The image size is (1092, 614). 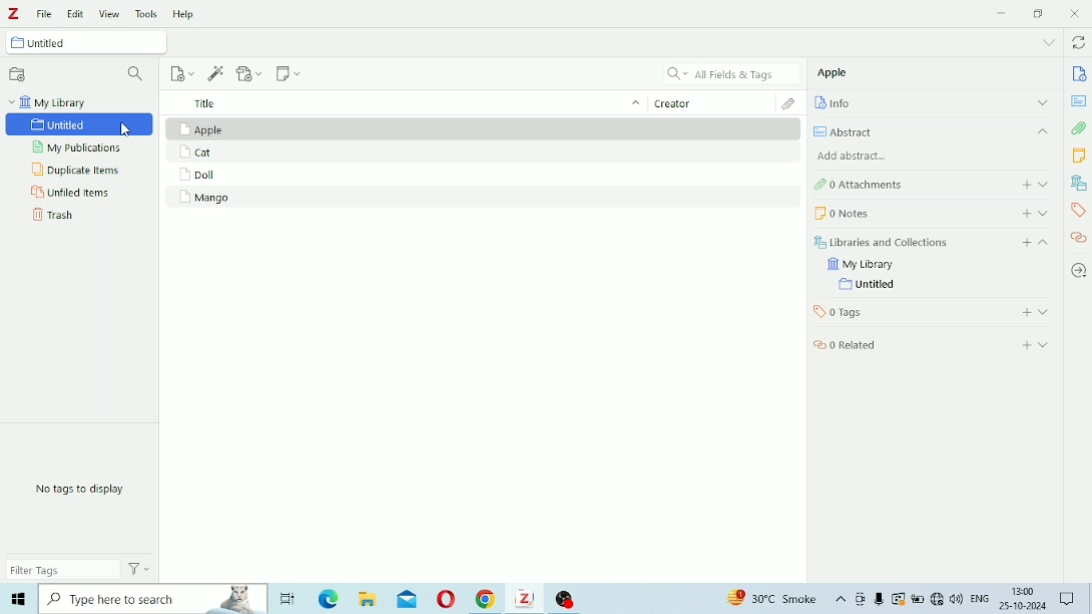 I want to click on New Collection, so click(x=19, y=73).